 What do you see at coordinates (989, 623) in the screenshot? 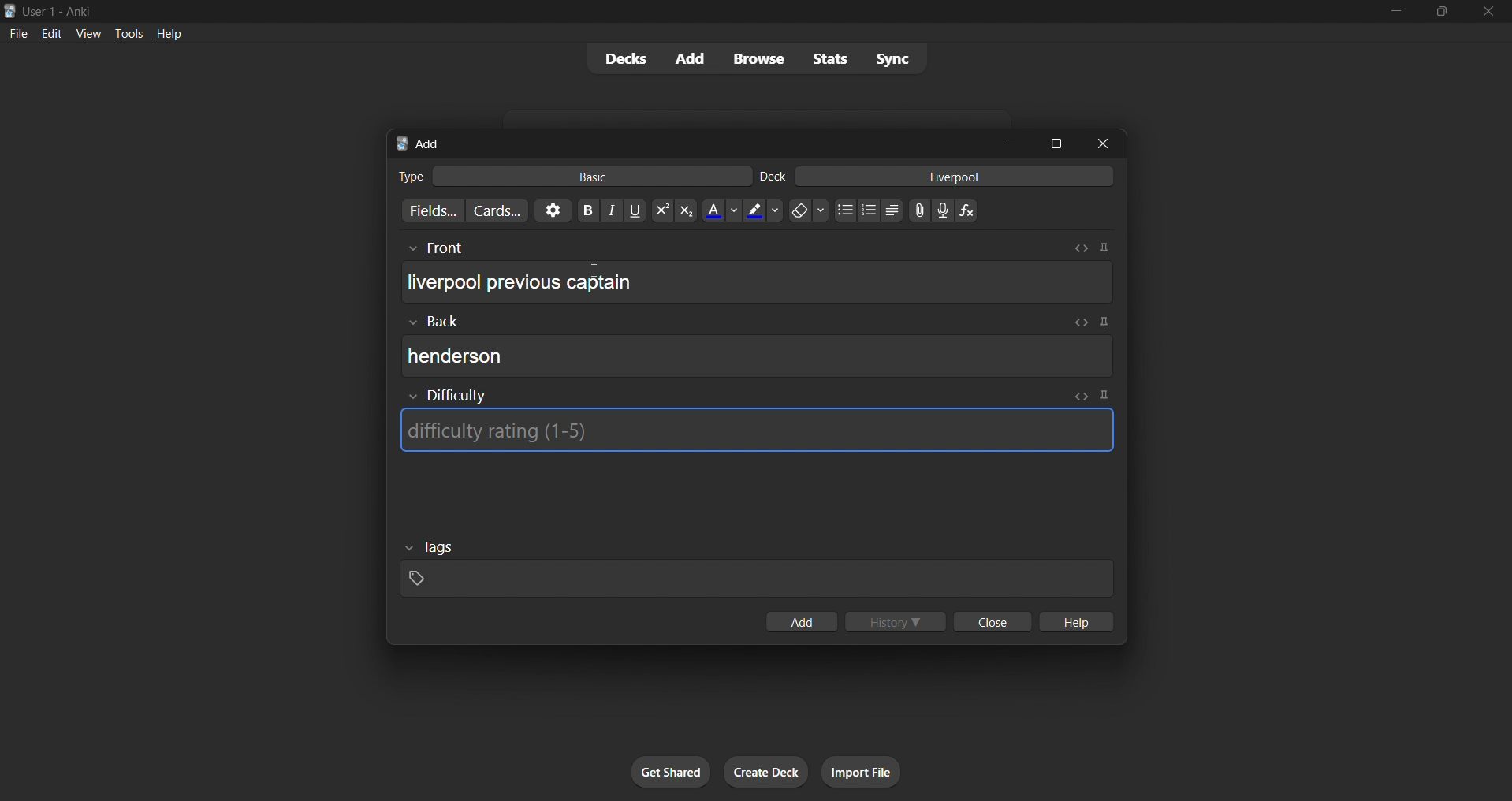
I see `close` at bounding box center [989, 623].